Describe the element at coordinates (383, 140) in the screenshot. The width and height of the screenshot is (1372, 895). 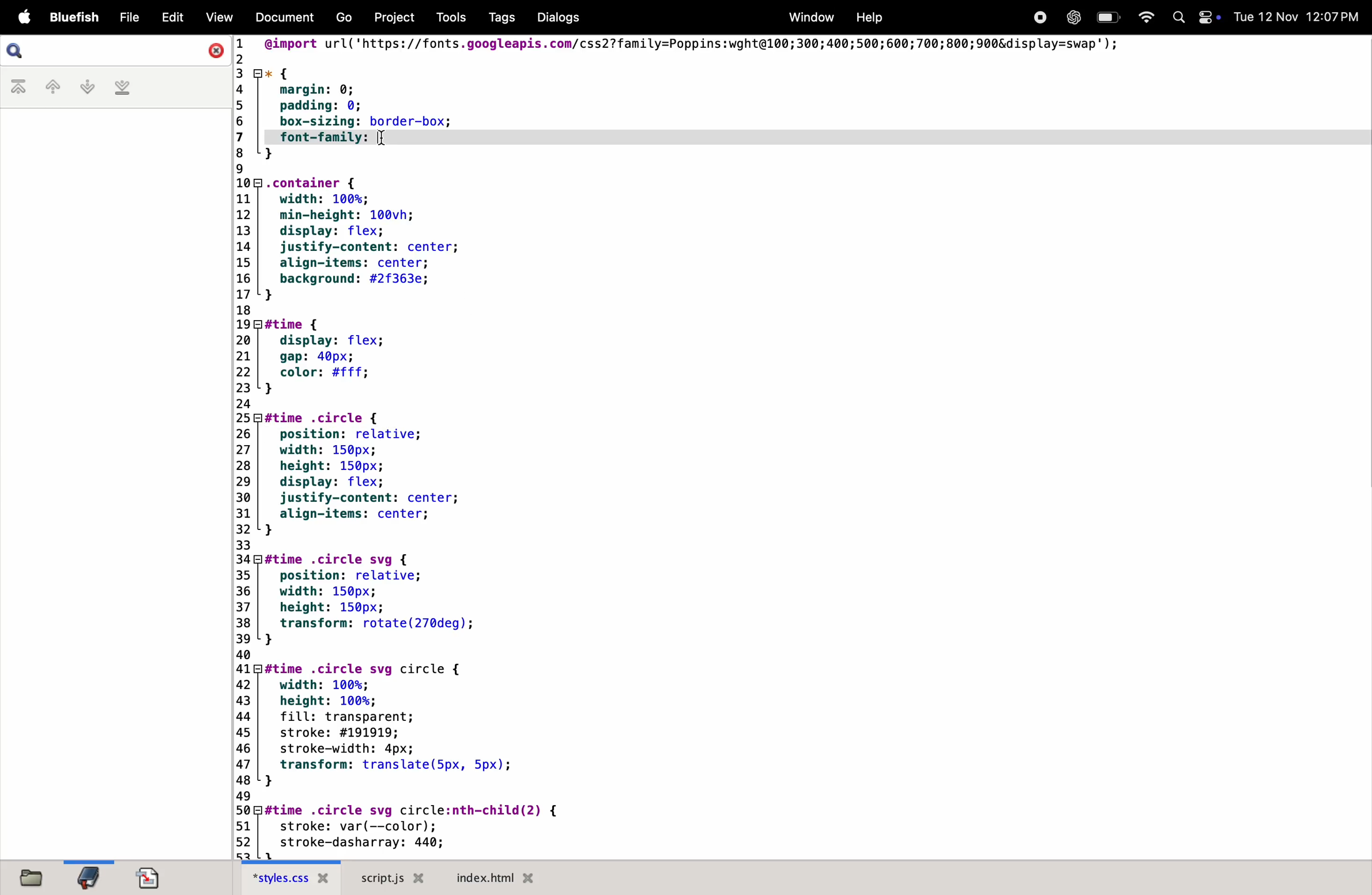
I see `cursor` at that location.